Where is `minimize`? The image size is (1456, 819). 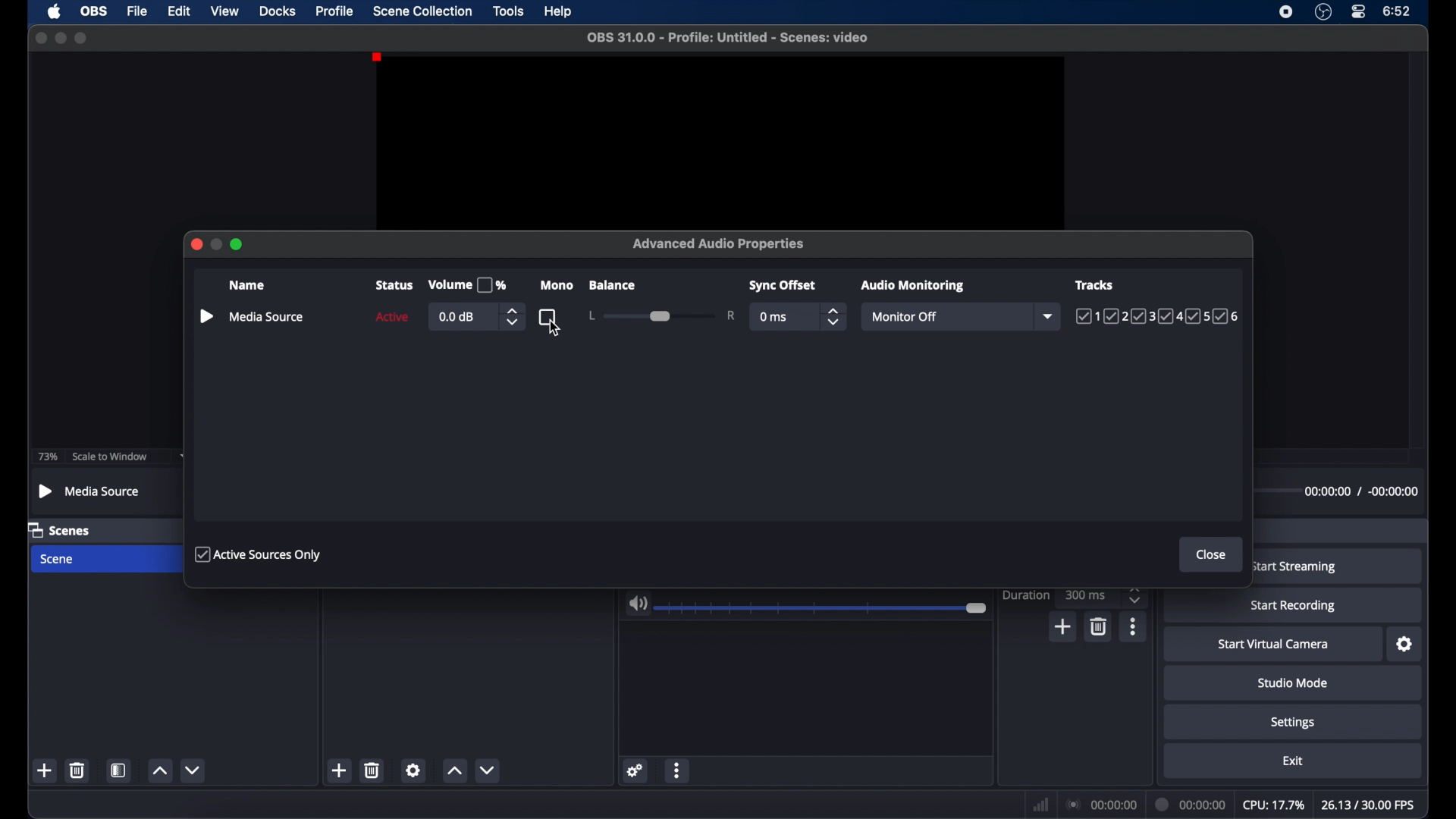
minimize is located at coordinates (217, 244).